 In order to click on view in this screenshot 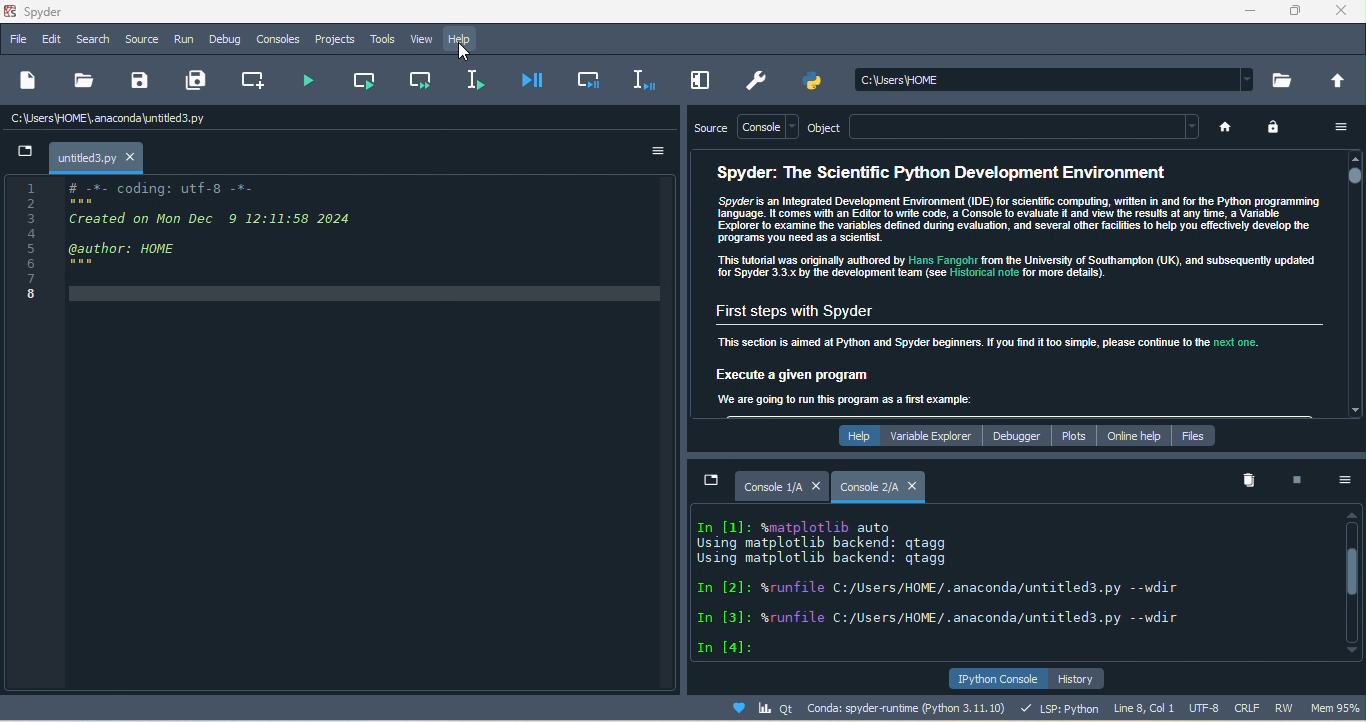, I will do `click(421, 40)`.